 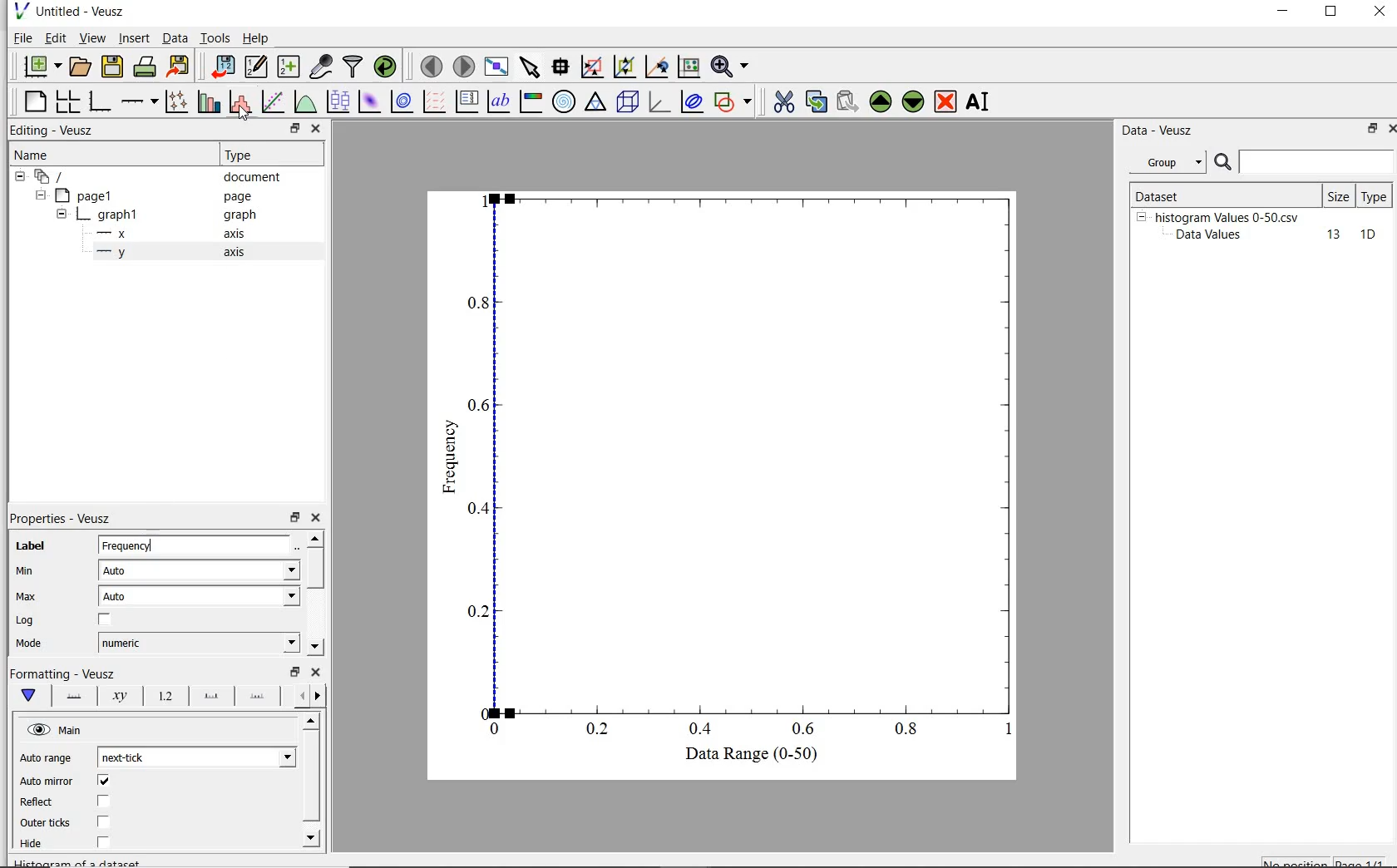 What do you see at coordinates (103, 801) in the screenshot?
I see `checkbox` at bounding box center [103, 801].